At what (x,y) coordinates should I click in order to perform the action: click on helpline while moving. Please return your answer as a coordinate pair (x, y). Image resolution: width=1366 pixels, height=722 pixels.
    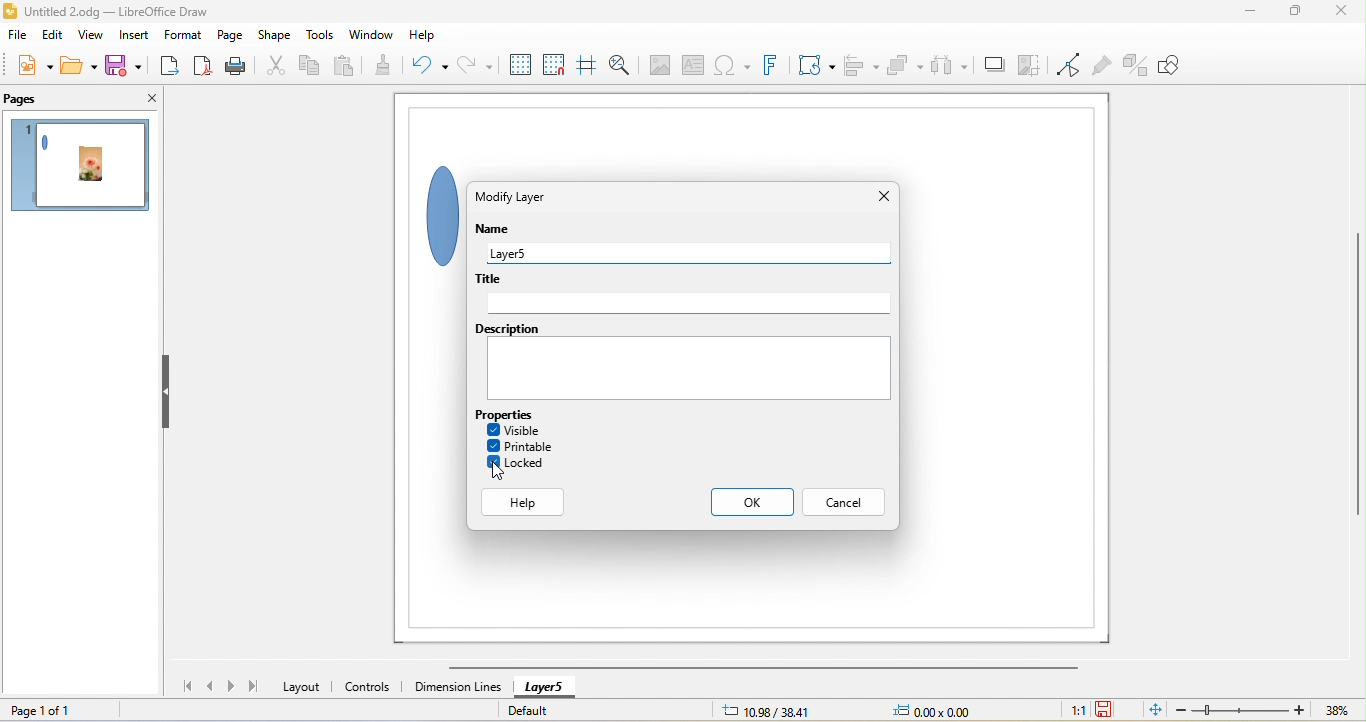
    Looking at the image, I should click on (586, 64).